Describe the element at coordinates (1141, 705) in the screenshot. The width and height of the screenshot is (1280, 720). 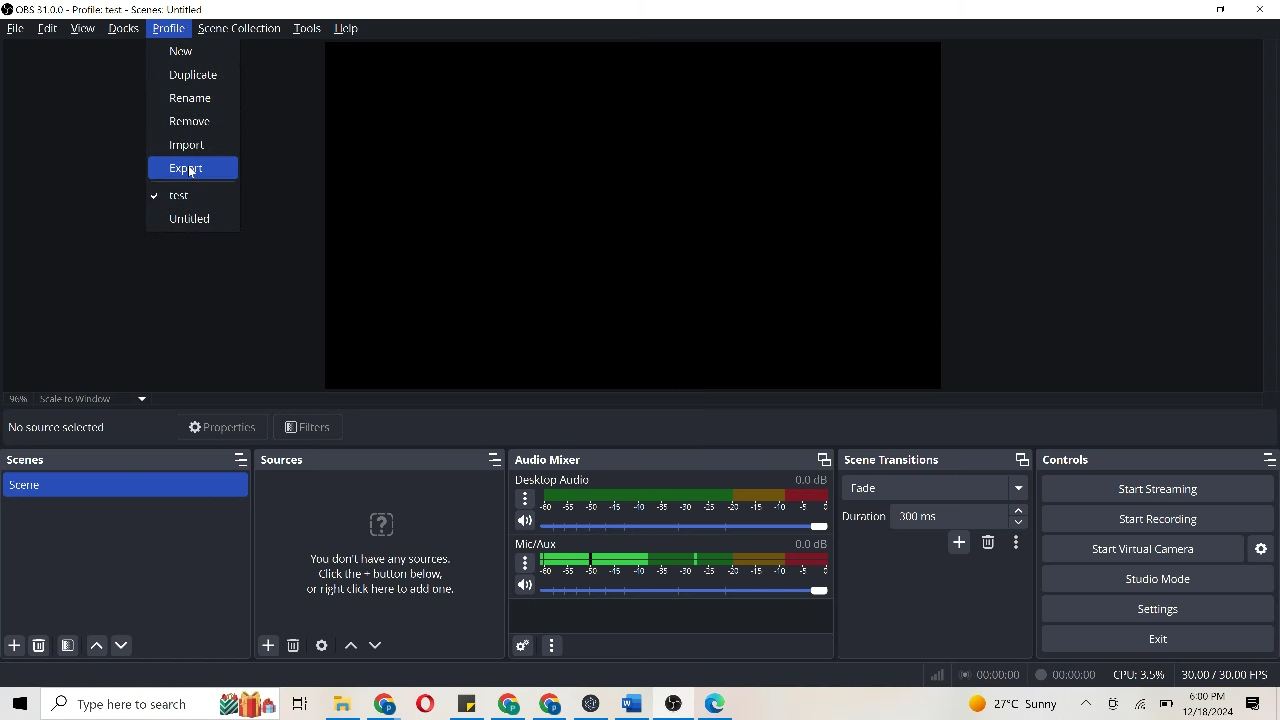
I see `wifi` at that location.